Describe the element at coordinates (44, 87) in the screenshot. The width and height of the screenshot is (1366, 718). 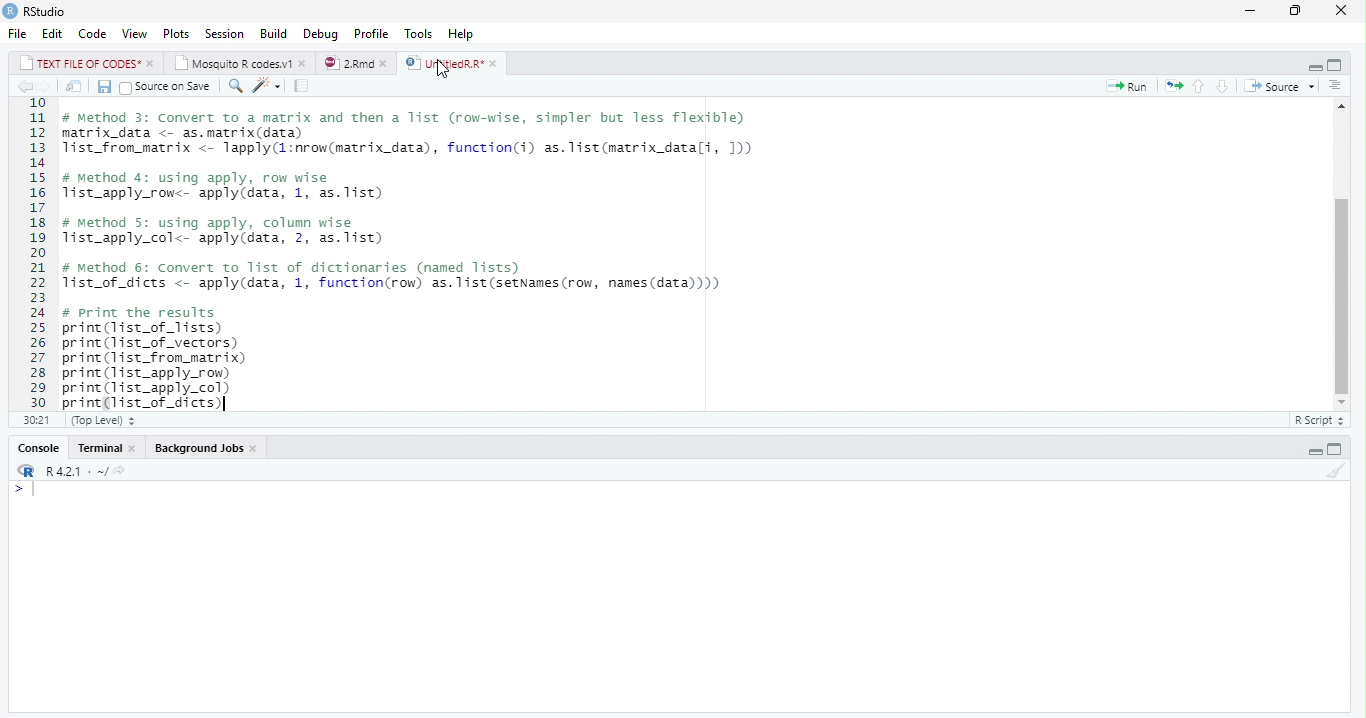
I see `Go to next location` at that location.